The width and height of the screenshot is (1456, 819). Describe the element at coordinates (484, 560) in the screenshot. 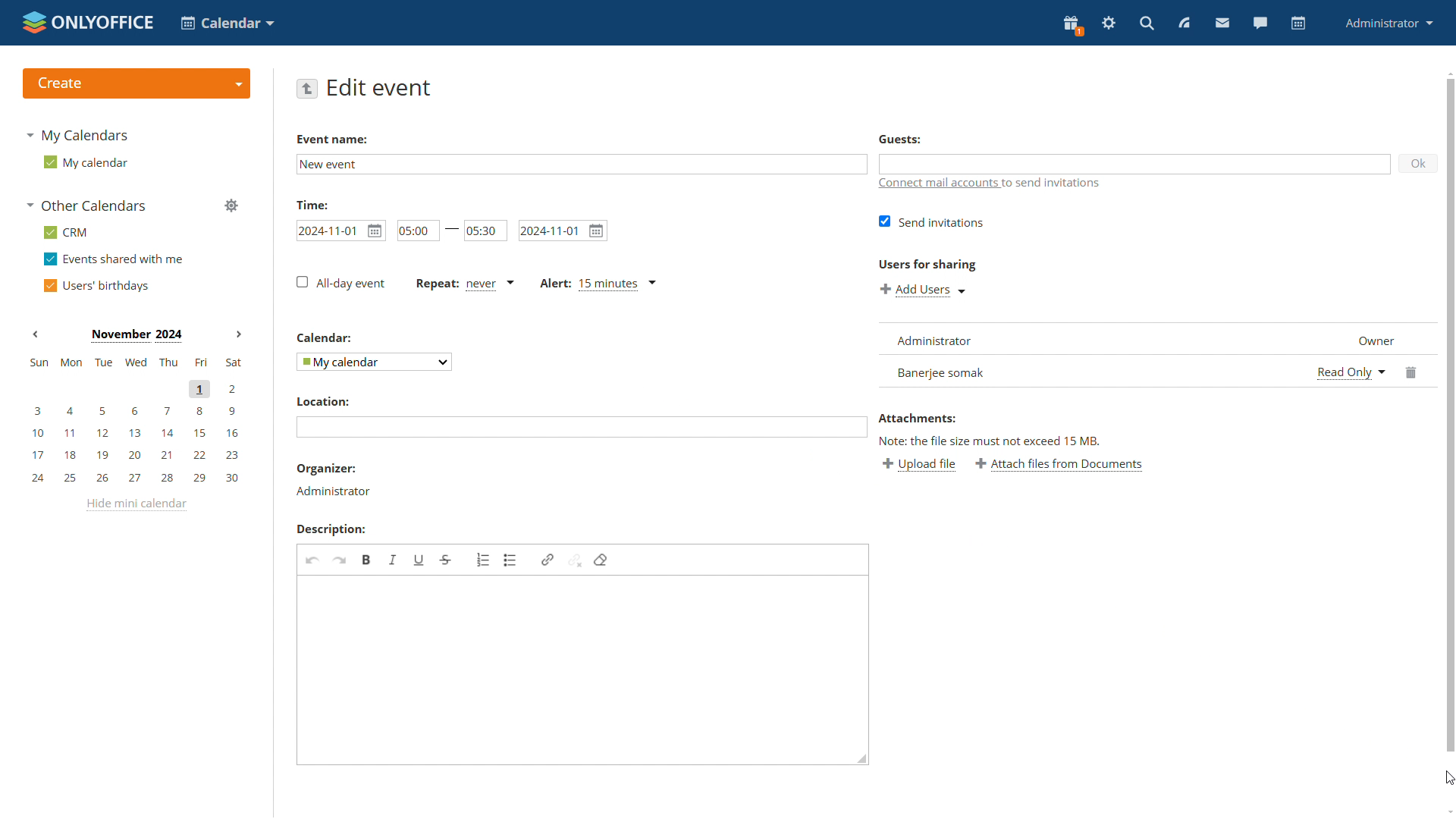

I see `insert/remove numbered list` at that location.